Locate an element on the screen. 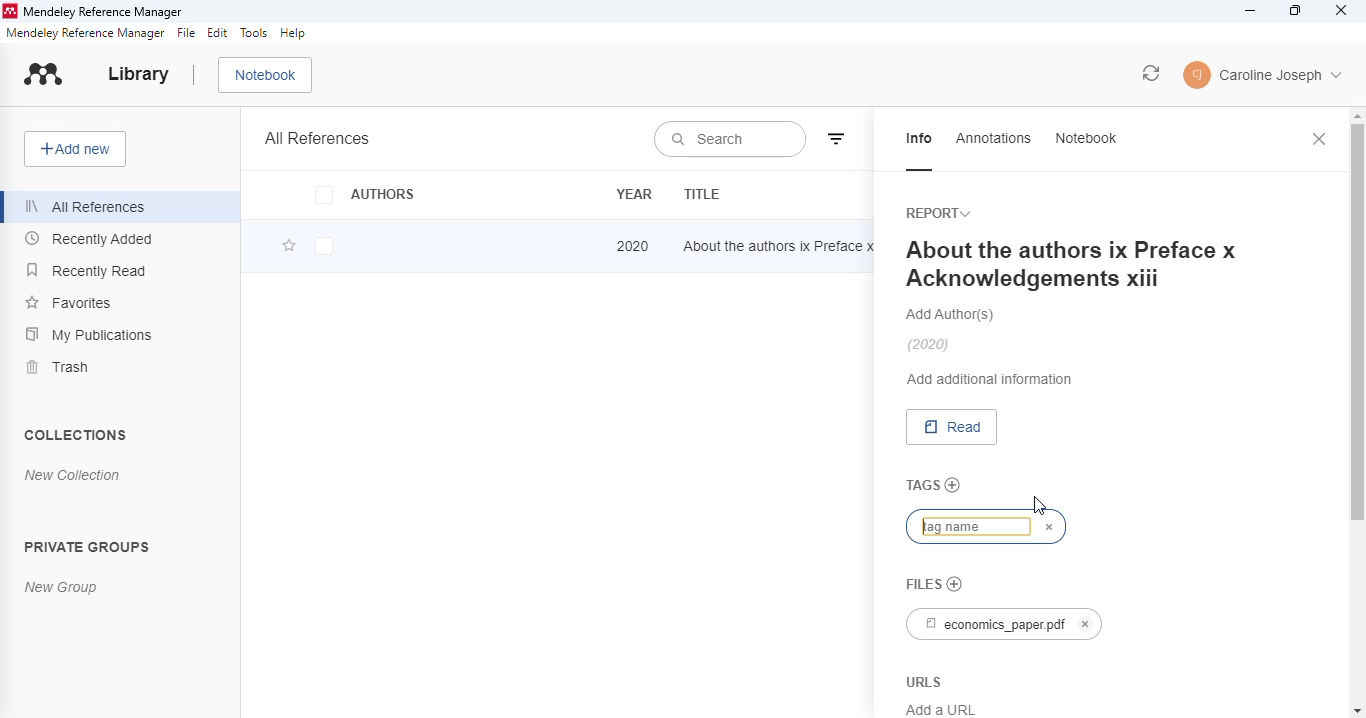  mendeley reference manager is located at coordinates (85, 33).